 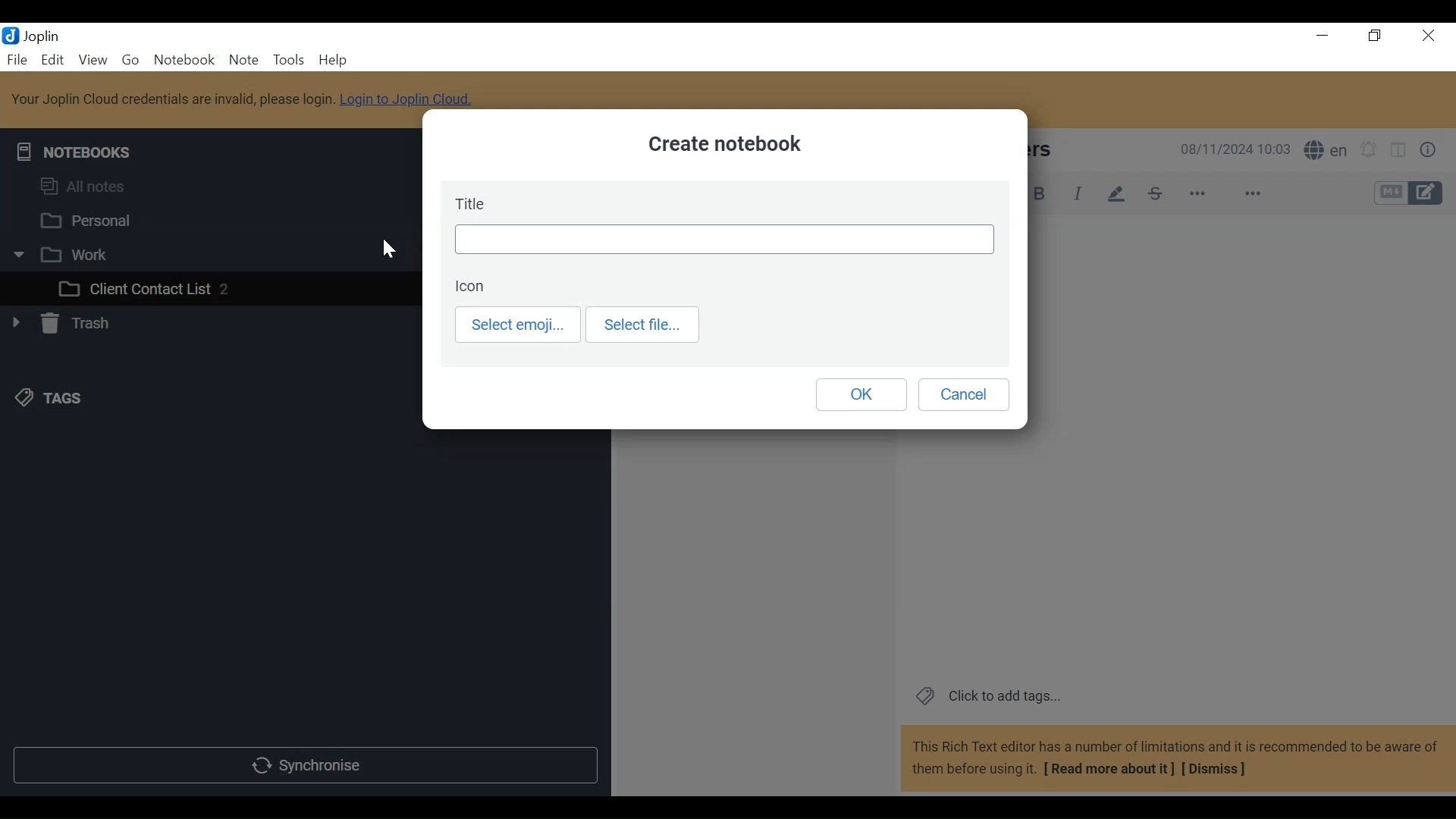 I want to click on Highlight , so click(x=1116, y=194).